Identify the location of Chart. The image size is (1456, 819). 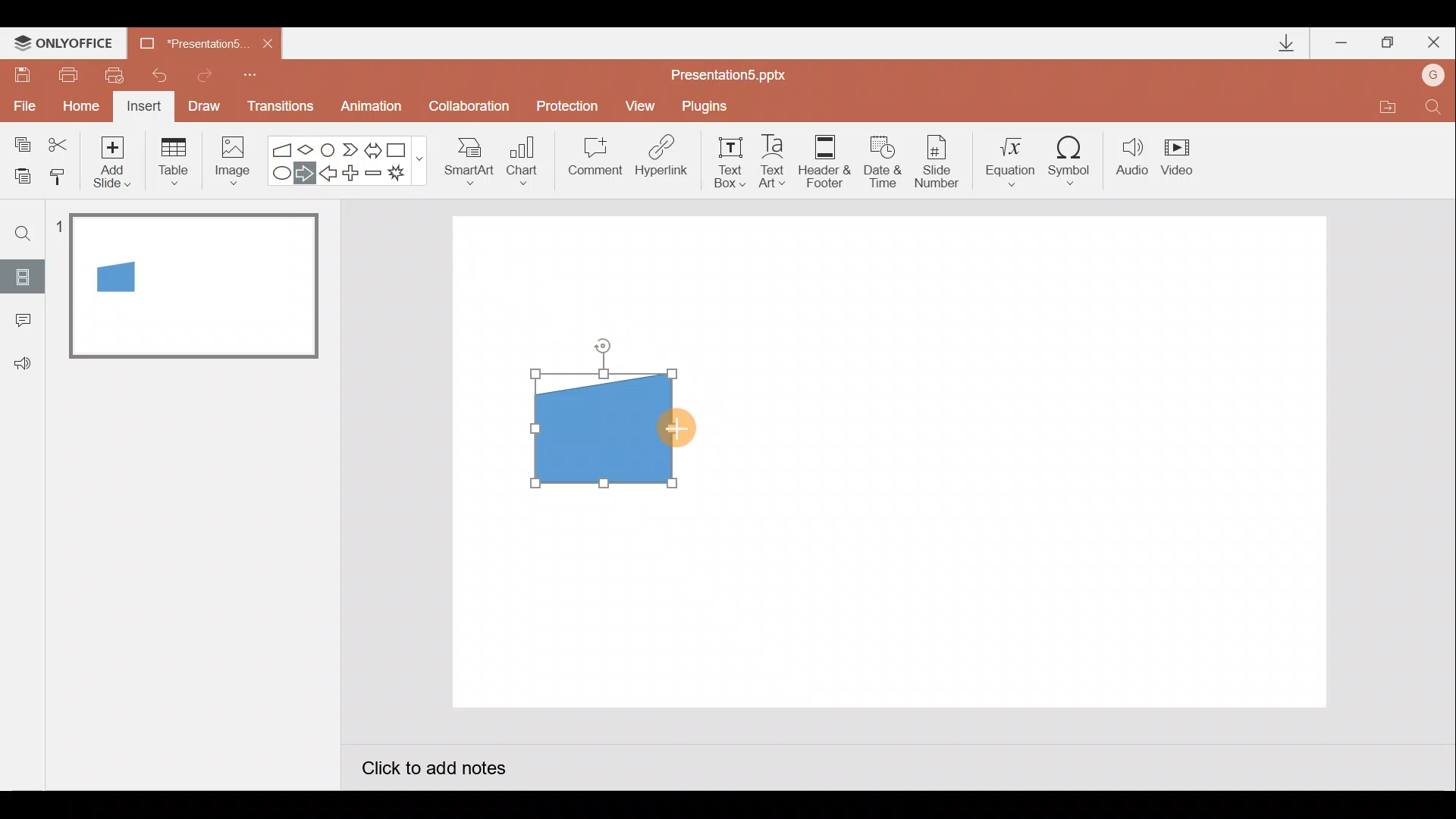
(522, 158).